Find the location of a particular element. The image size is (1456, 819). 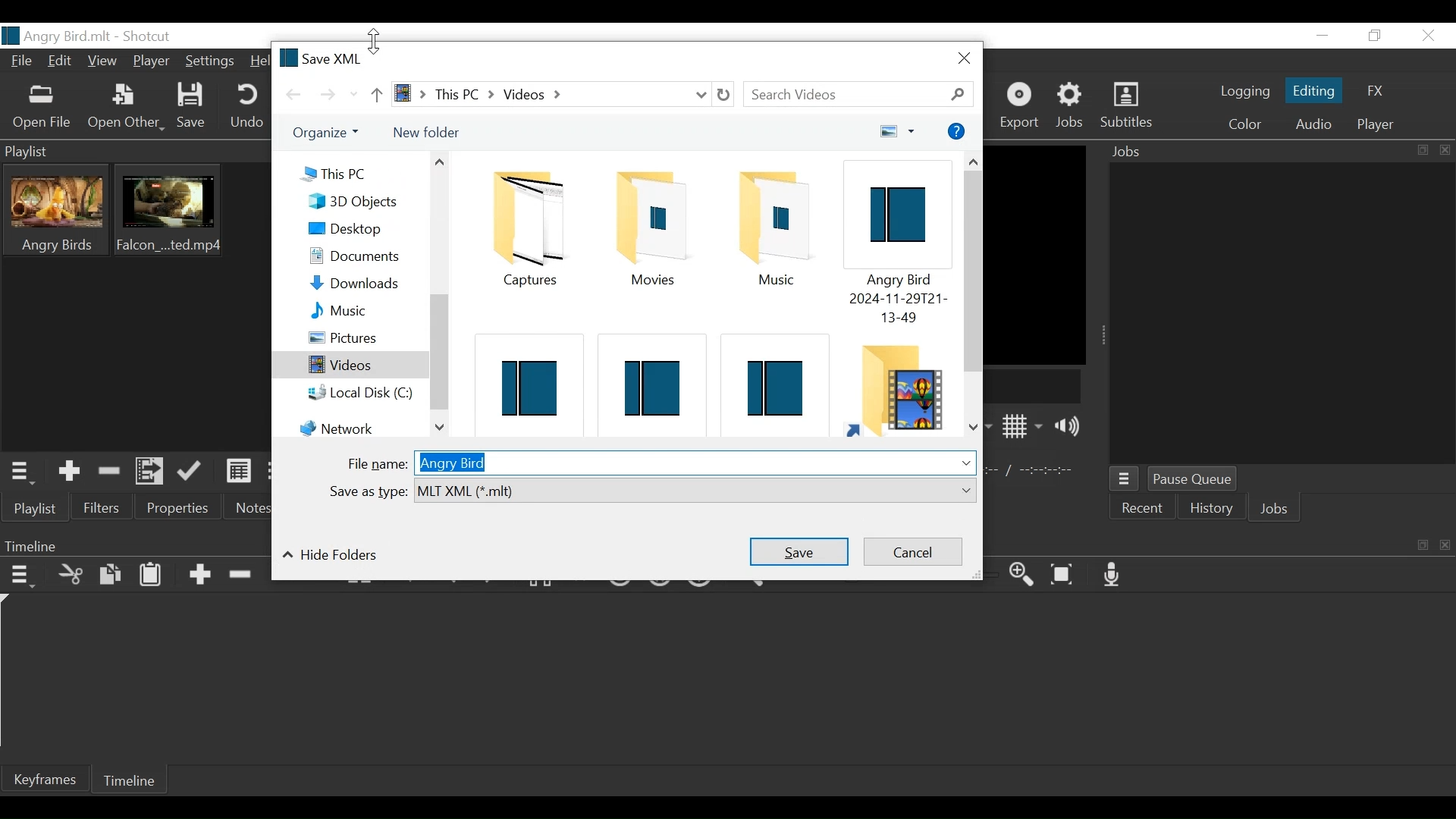

Zoom timeline to fit is located at coordinates (1067, 575).